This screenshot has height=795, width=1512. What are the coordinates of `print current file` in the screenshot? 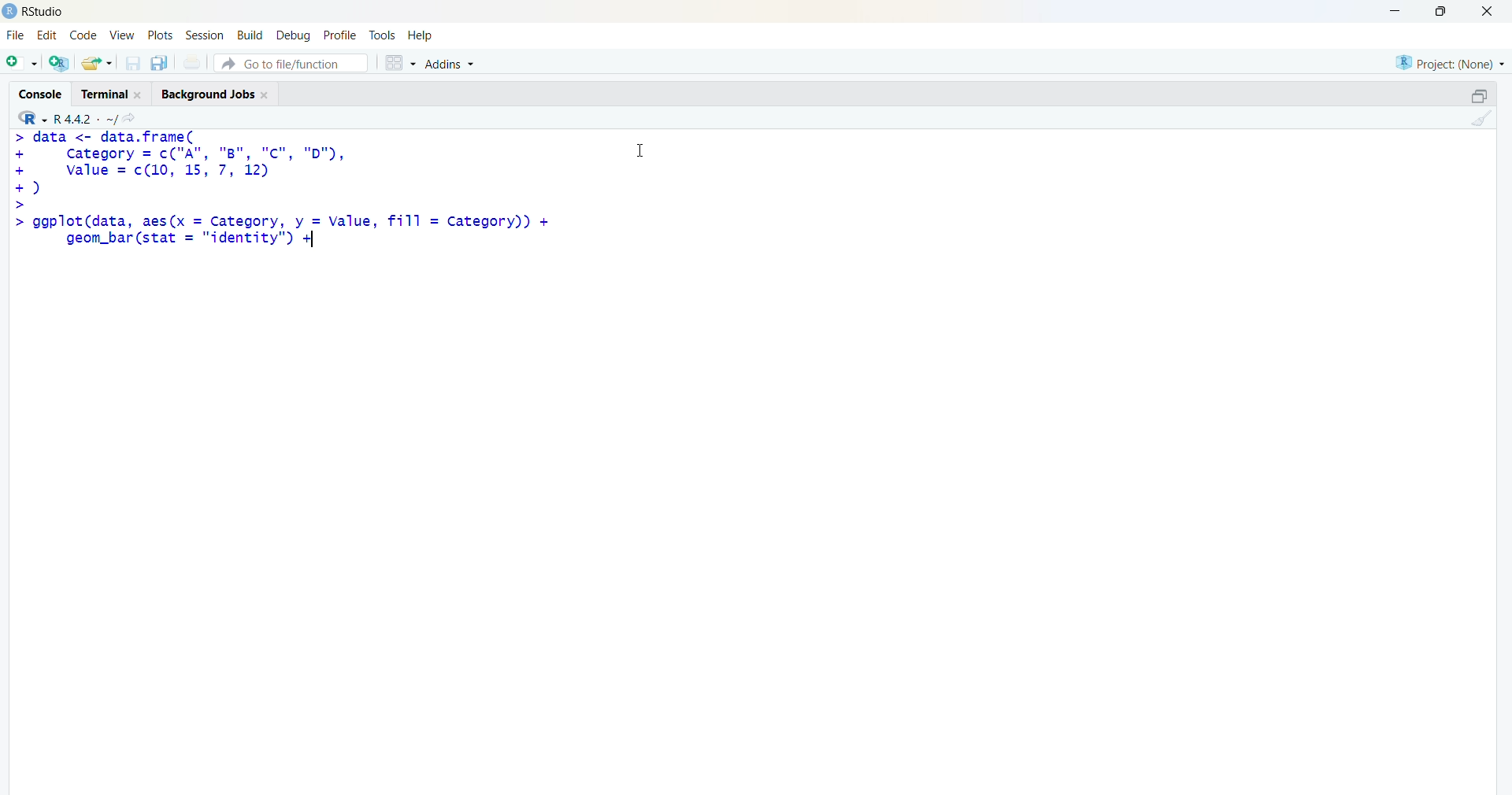 It's located at (190, 62).